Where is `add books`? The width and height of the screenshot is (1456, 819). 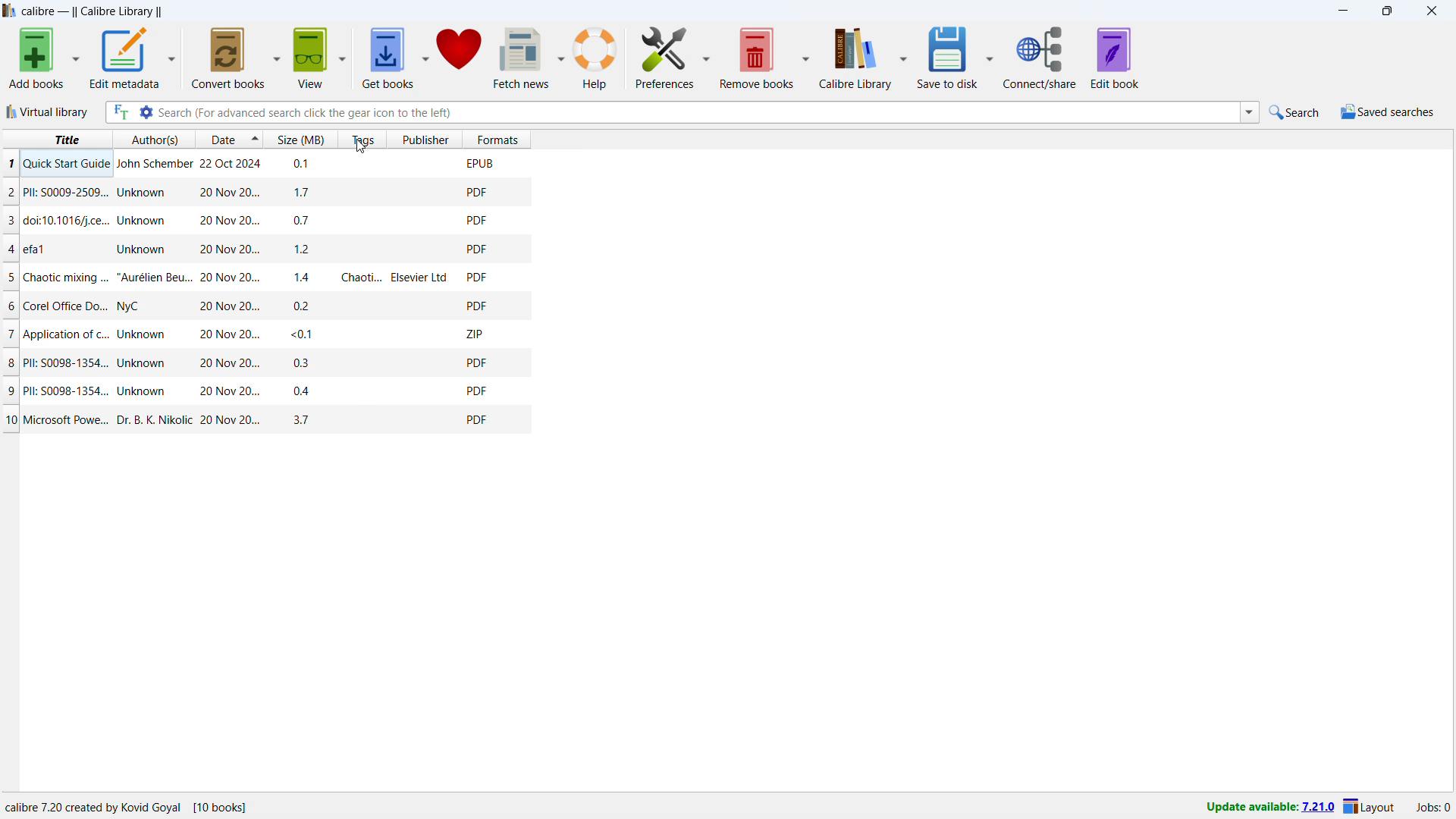 add books is located at coordinates (37, 58).